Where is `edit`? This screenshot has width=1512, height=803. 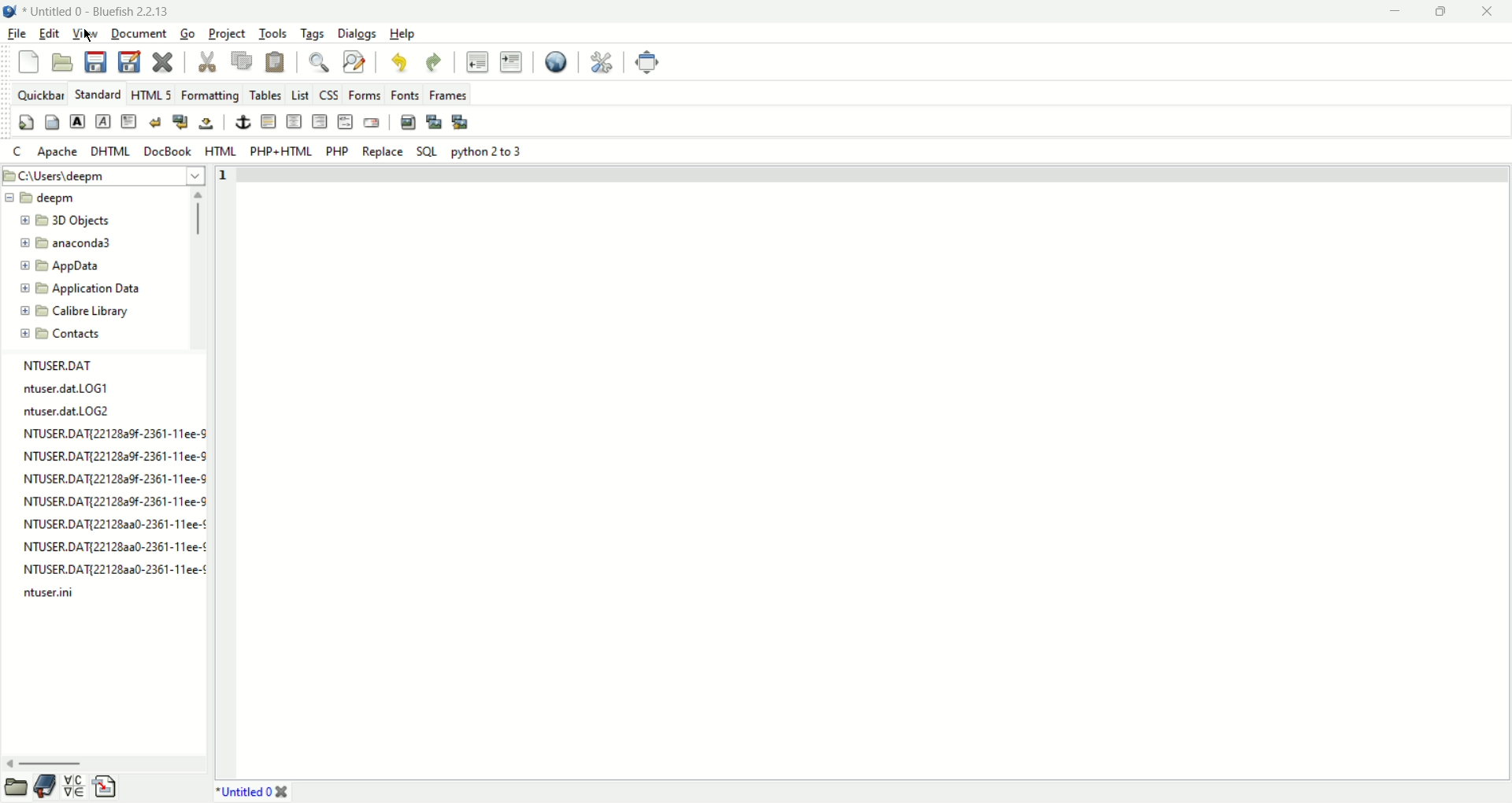 edit is located at coordinates (49, 34).